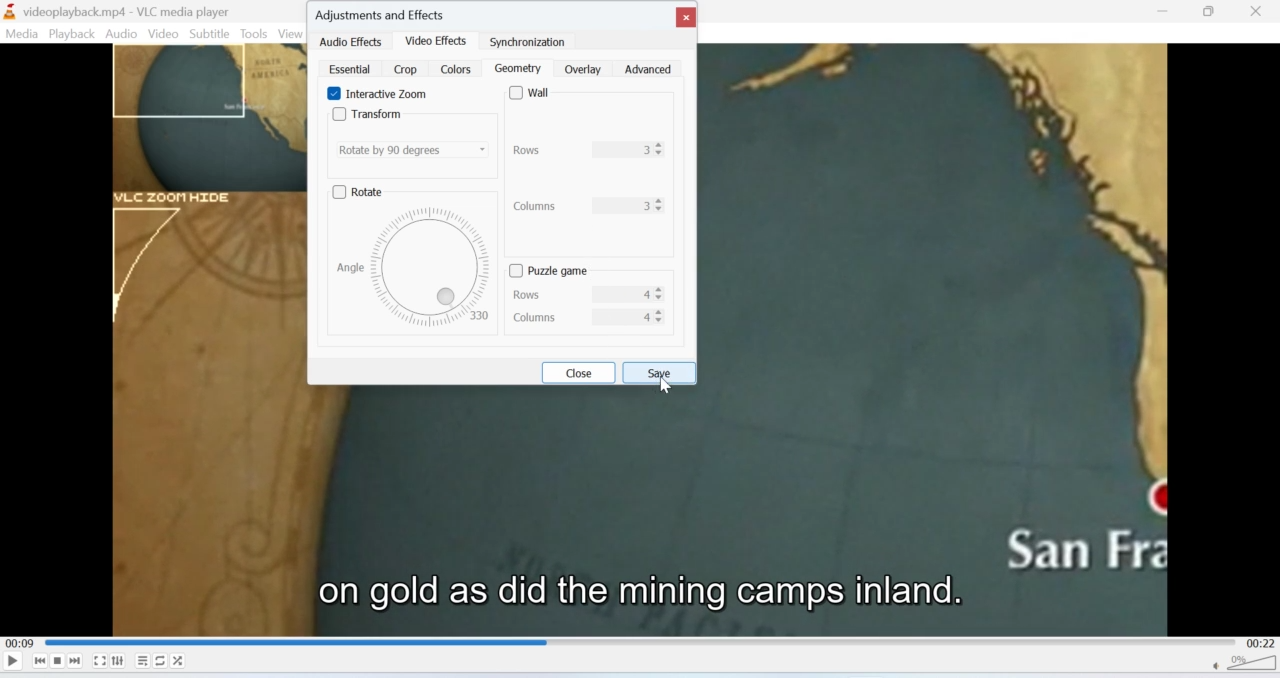 This screenshot has height=678, width=1280. I want to click on cursor on save, so click(664, 387).